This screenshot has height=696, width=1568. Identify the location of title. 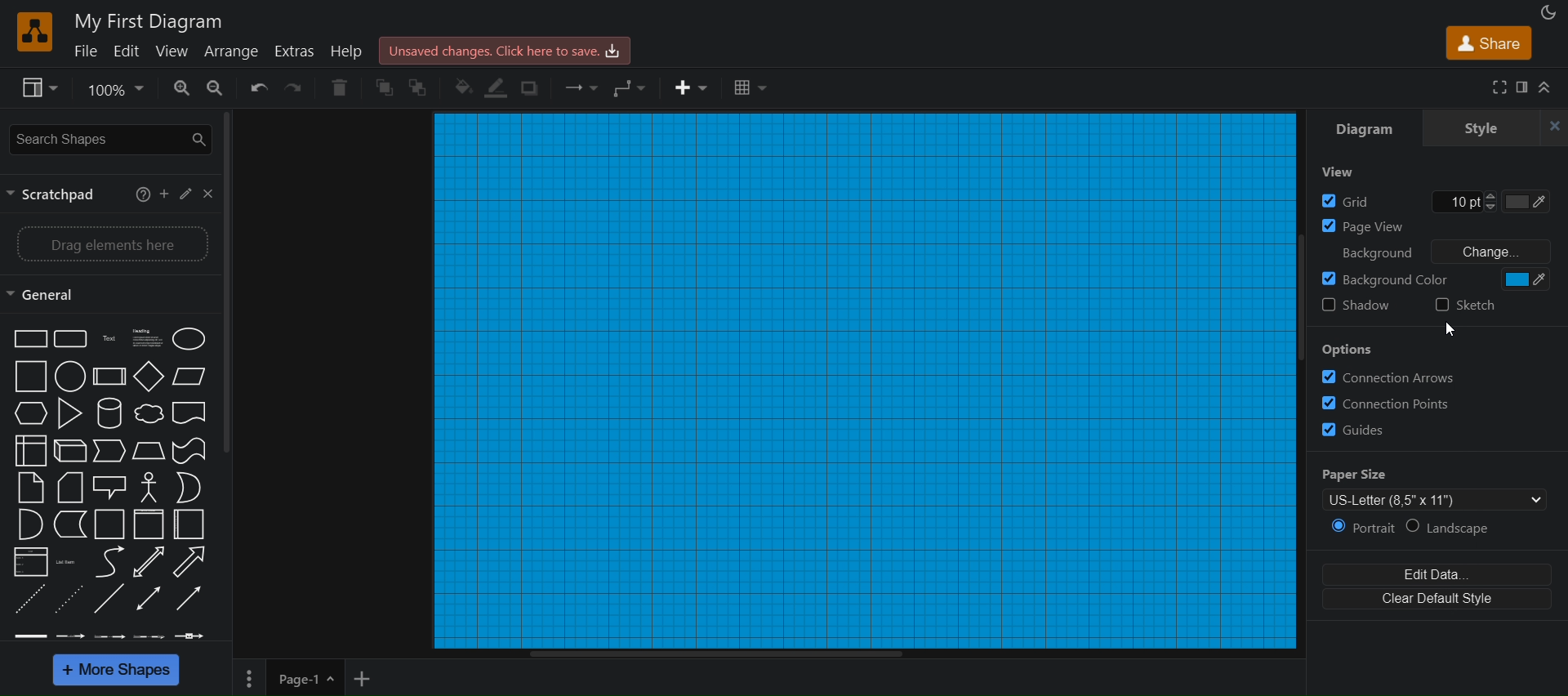
(148, 20).